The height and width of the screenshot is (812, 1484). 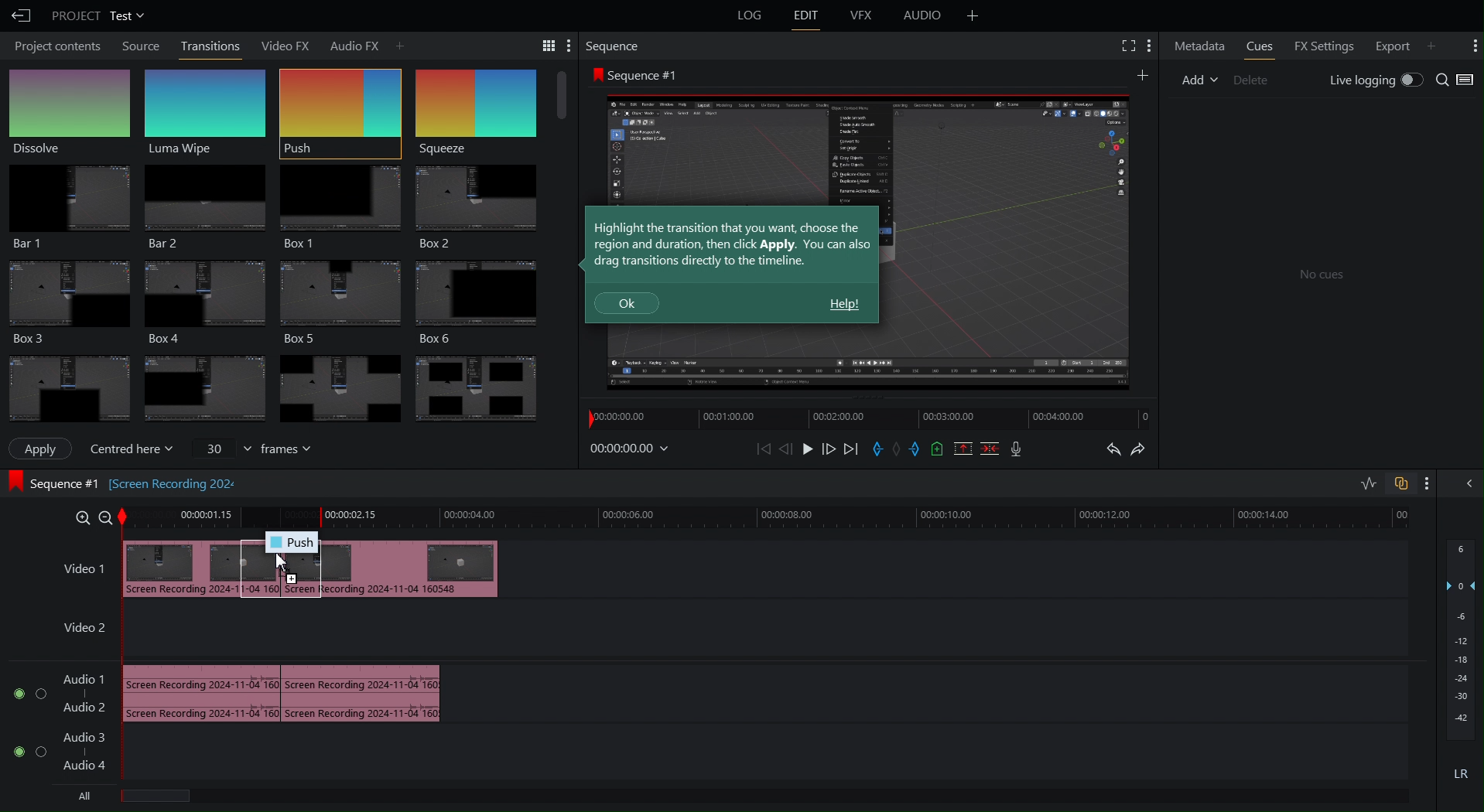 What do you see at coordinates (97, 15) in the screenshot?
I see `Project Test` at bounding box center [97, 15].